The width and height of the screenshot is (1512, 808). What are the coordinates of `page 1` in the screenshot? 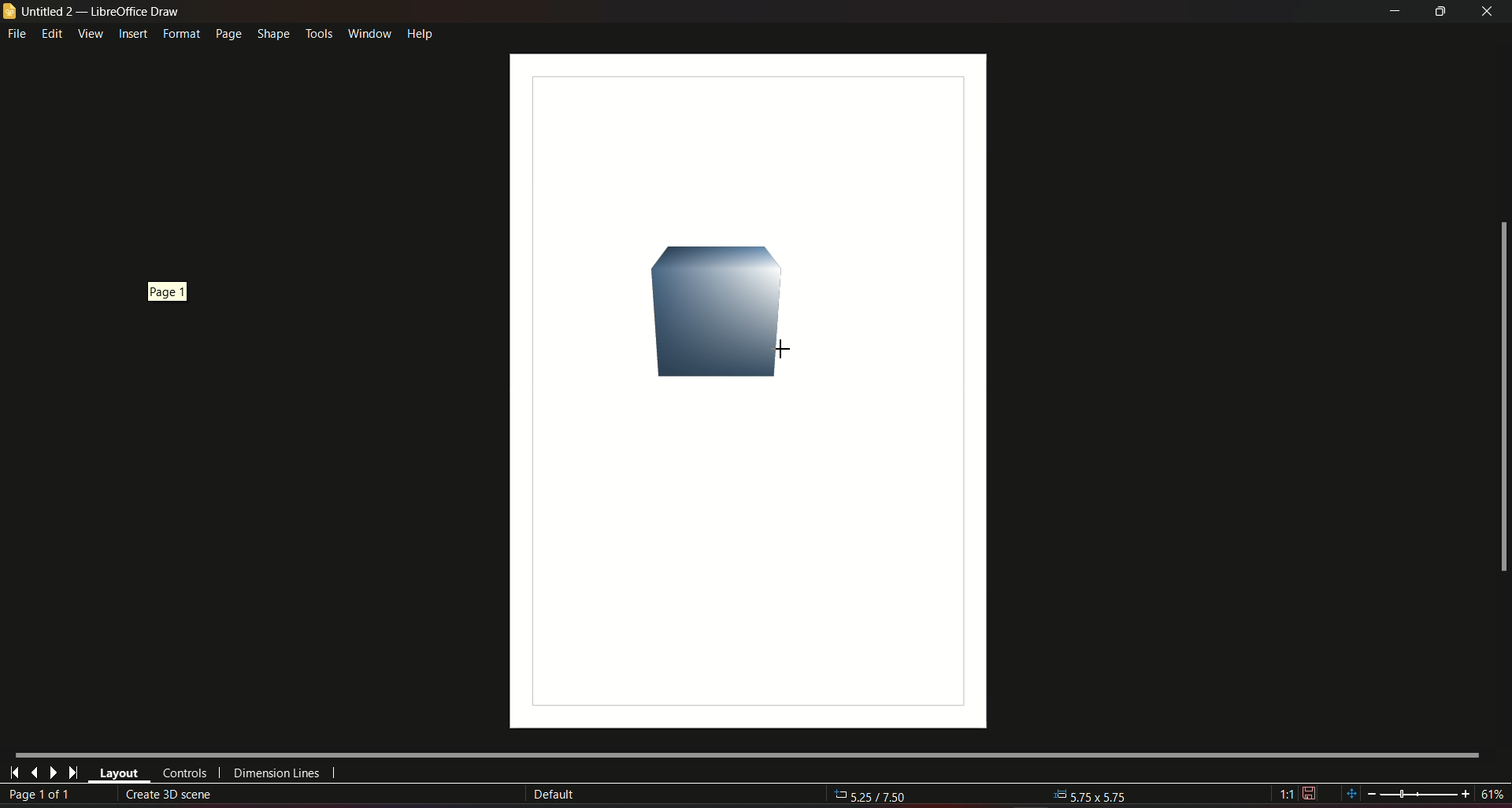 It's located at (170, 295).